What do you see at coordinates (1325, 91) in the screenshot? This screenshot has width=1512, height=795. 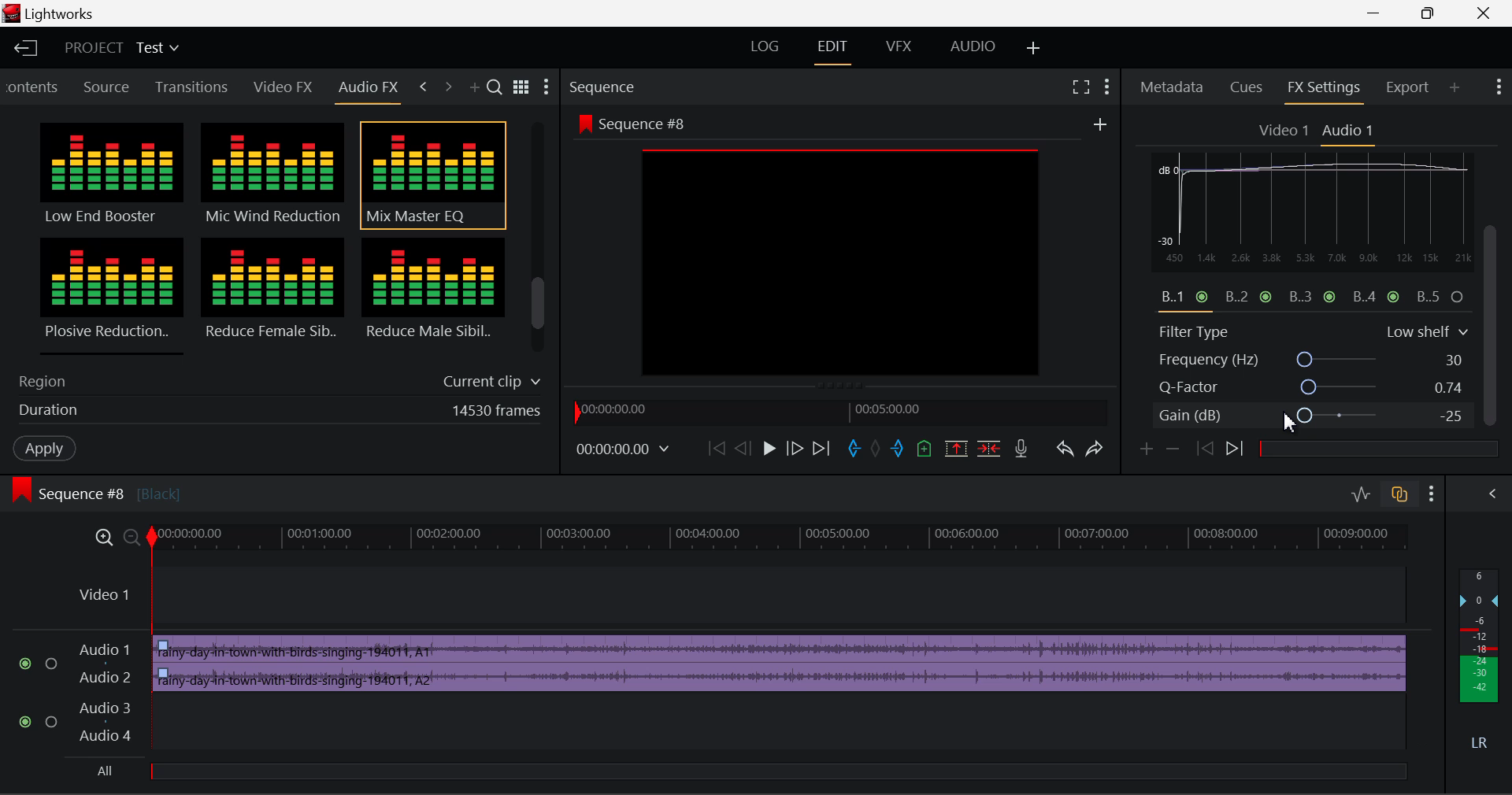 I see `FX Settings Open` at bounding box center [1325, 91].